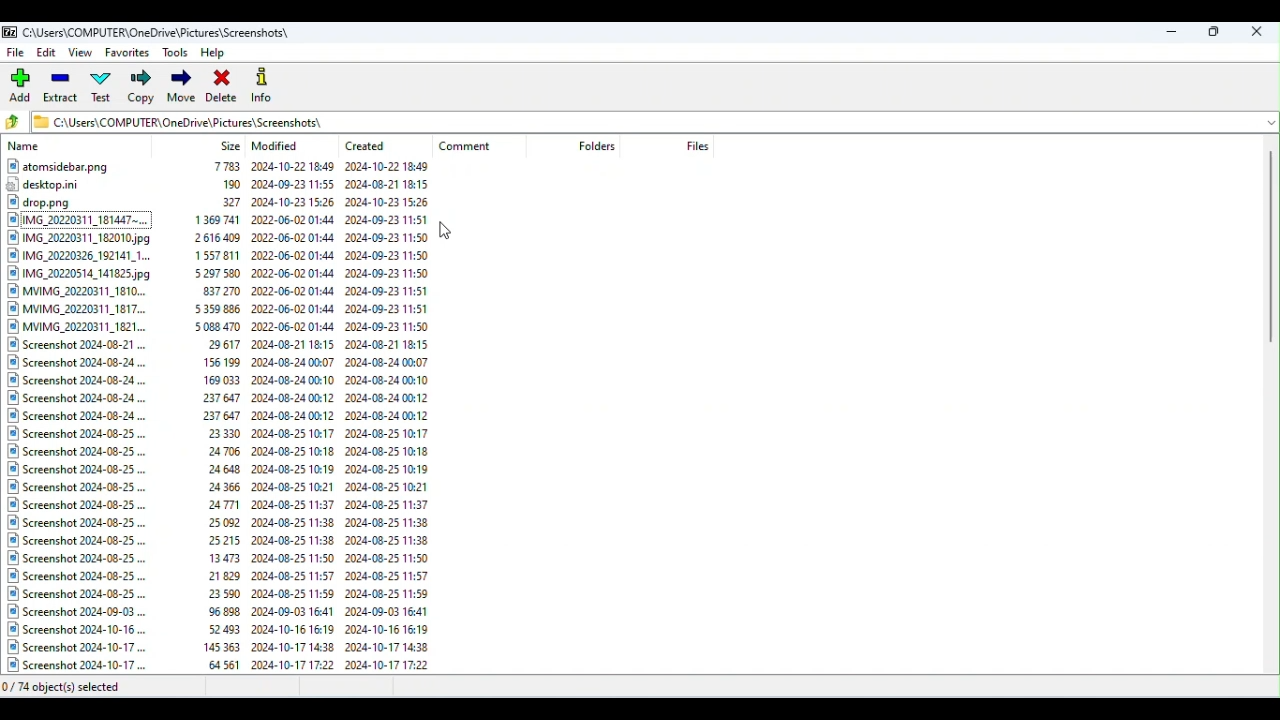 The width and height of the screenshot is (1280, 720). Describe the element at coordinates (16, 123) in the screenshot. I see `Go back` at that location.